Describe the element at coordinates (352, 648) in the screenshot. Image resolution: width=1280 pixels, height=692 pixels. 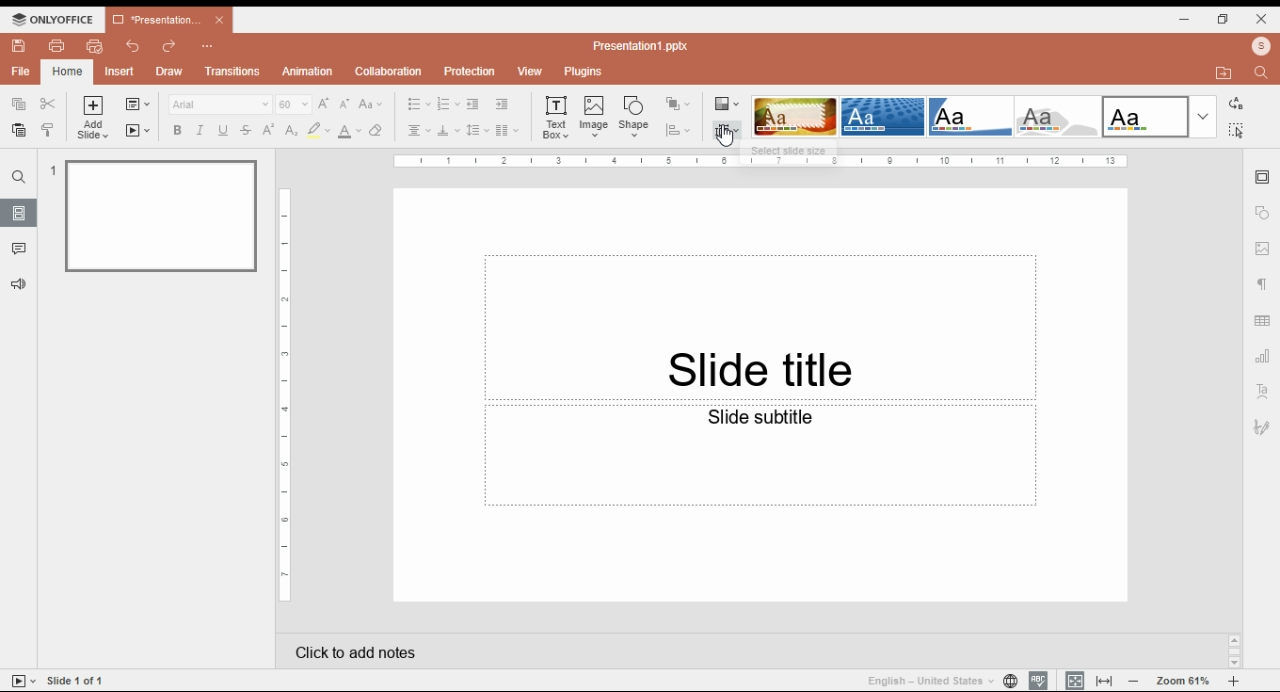
I see `click add notes` at that location.